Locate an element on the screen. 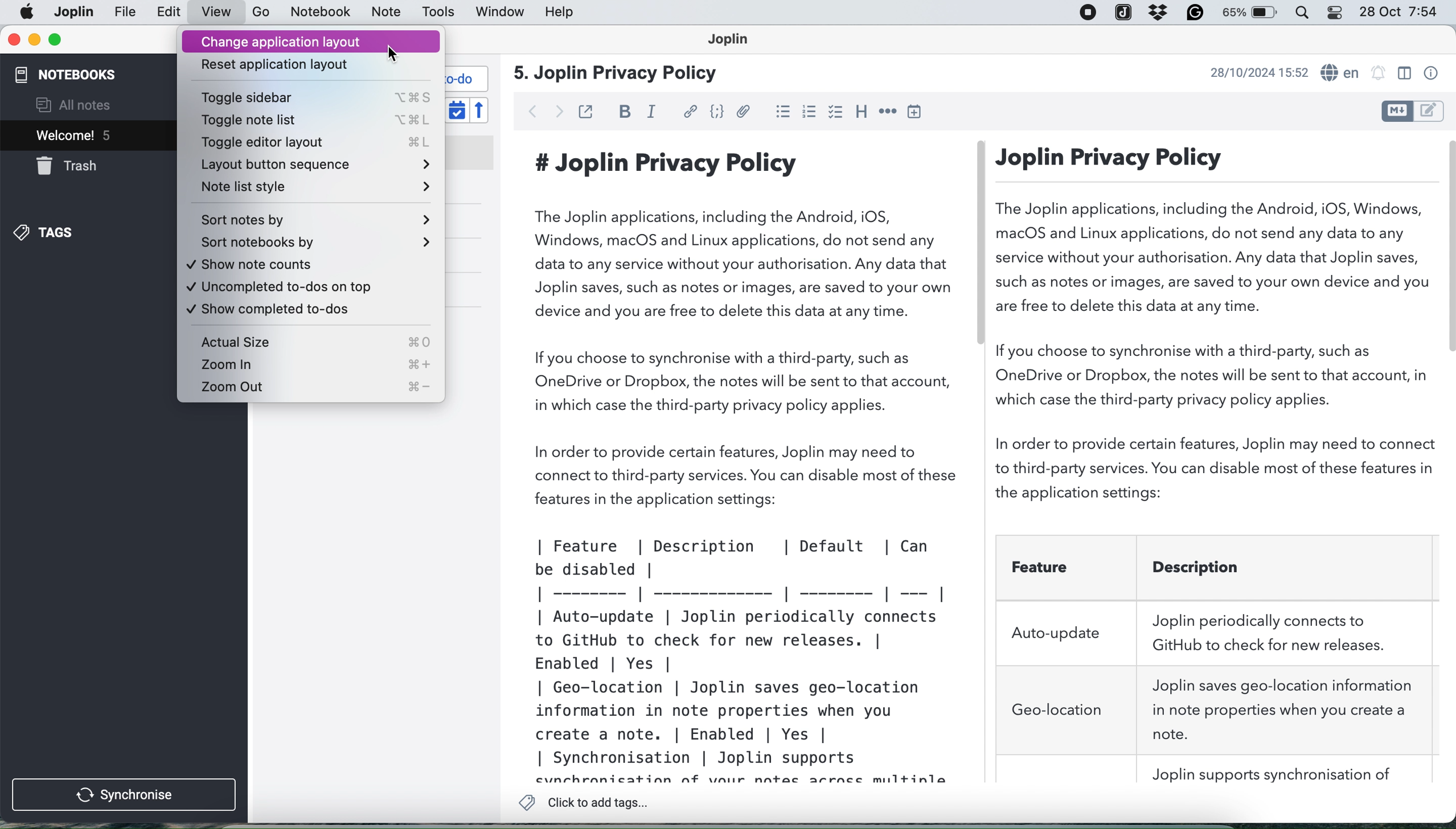 This screenshot has width=1456, height=829. Uncomplete to-dos on top is located at coordinates (310, 290).